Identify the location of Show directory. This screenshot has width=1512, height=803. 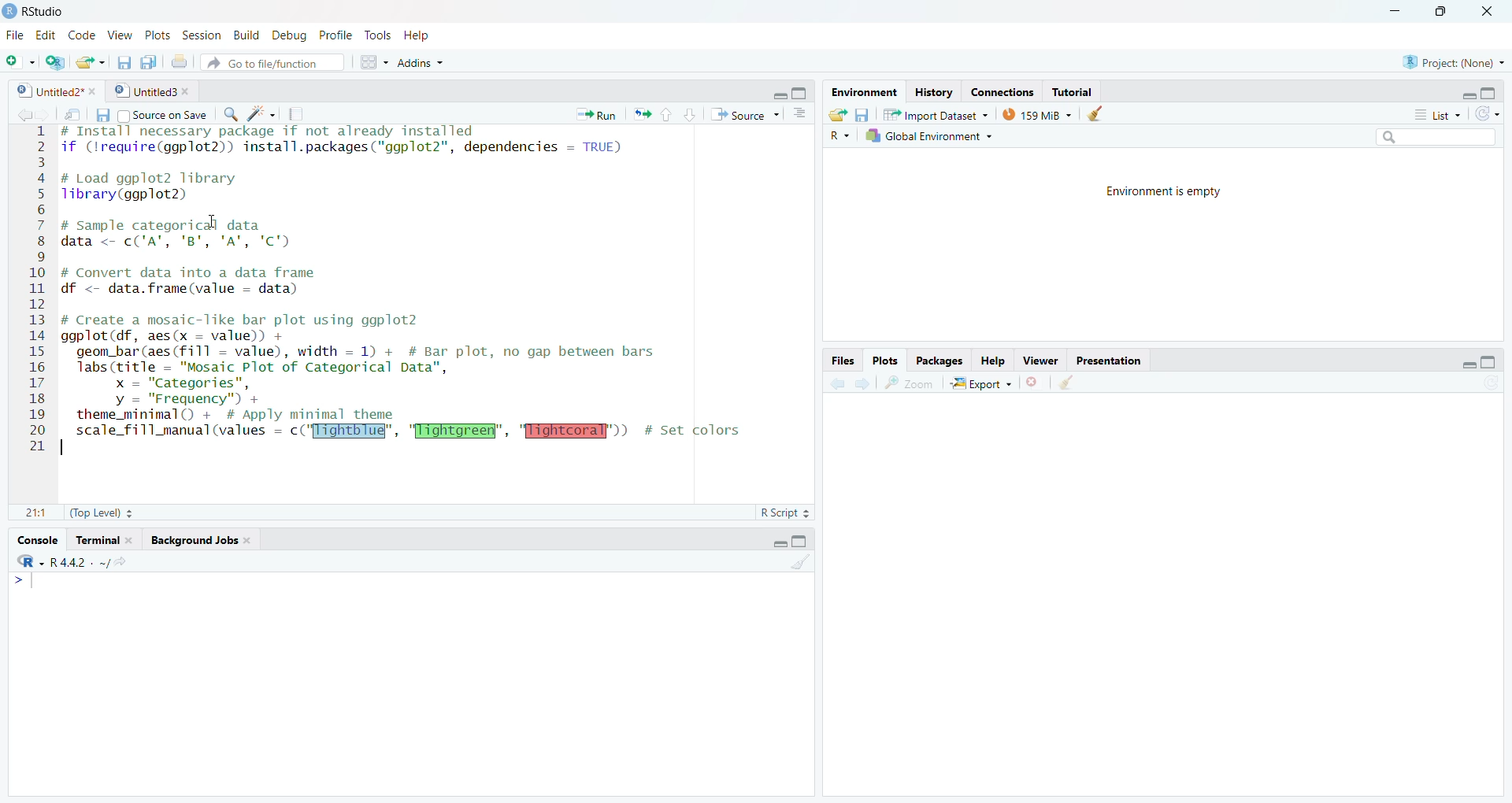
(120, 563).